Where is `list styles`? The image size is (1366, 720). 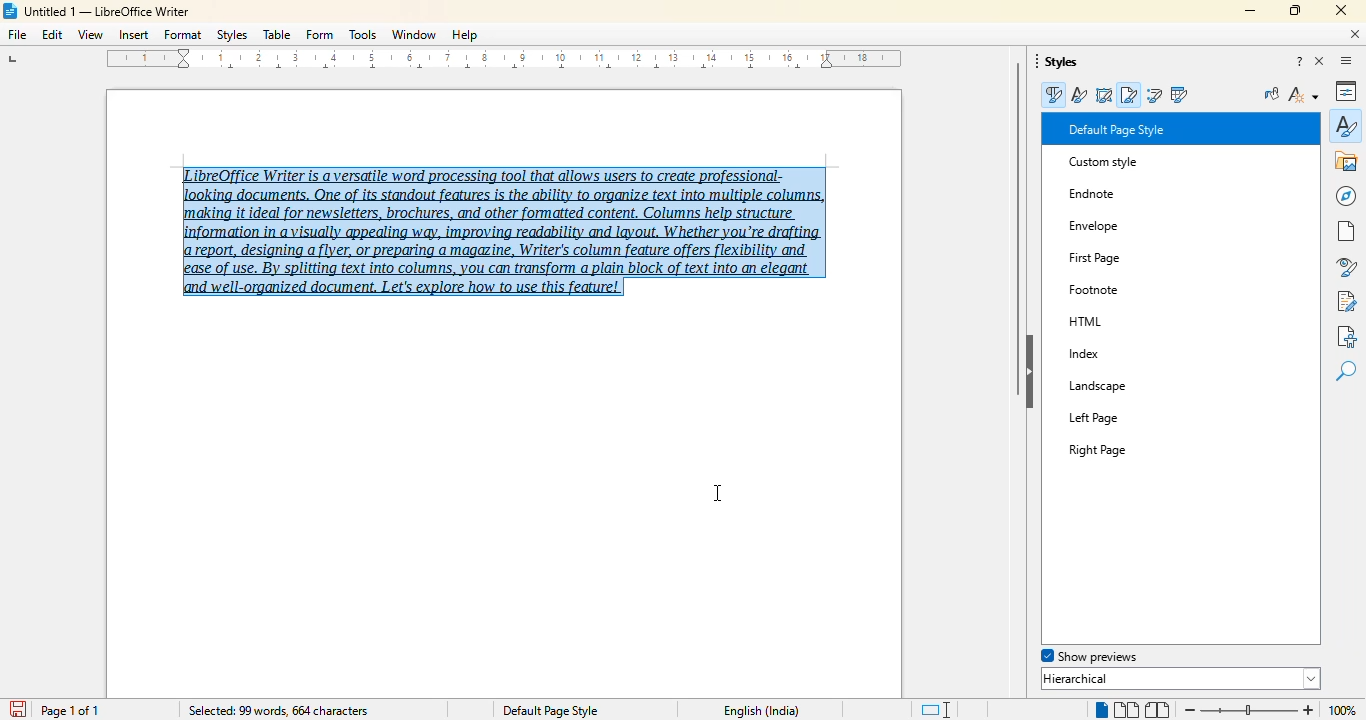
list styles is located at coordinates (1155, 94).